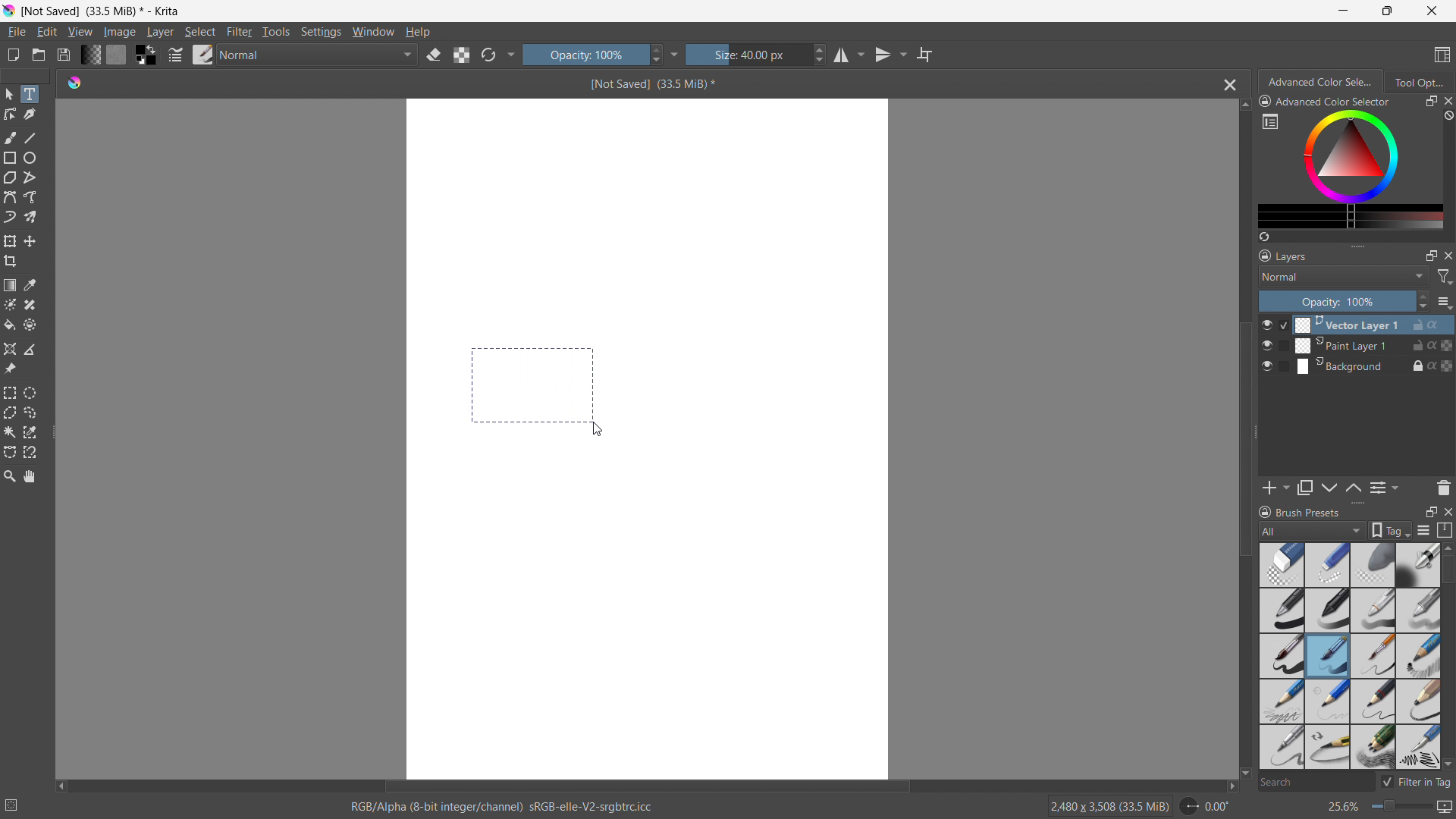 Image resolution: width=1456 pixels, height=819 pixels. What do you see at coordinates (1385, 11) in the screenshot?
I see `maximize` at bounding box center [1385, 11].